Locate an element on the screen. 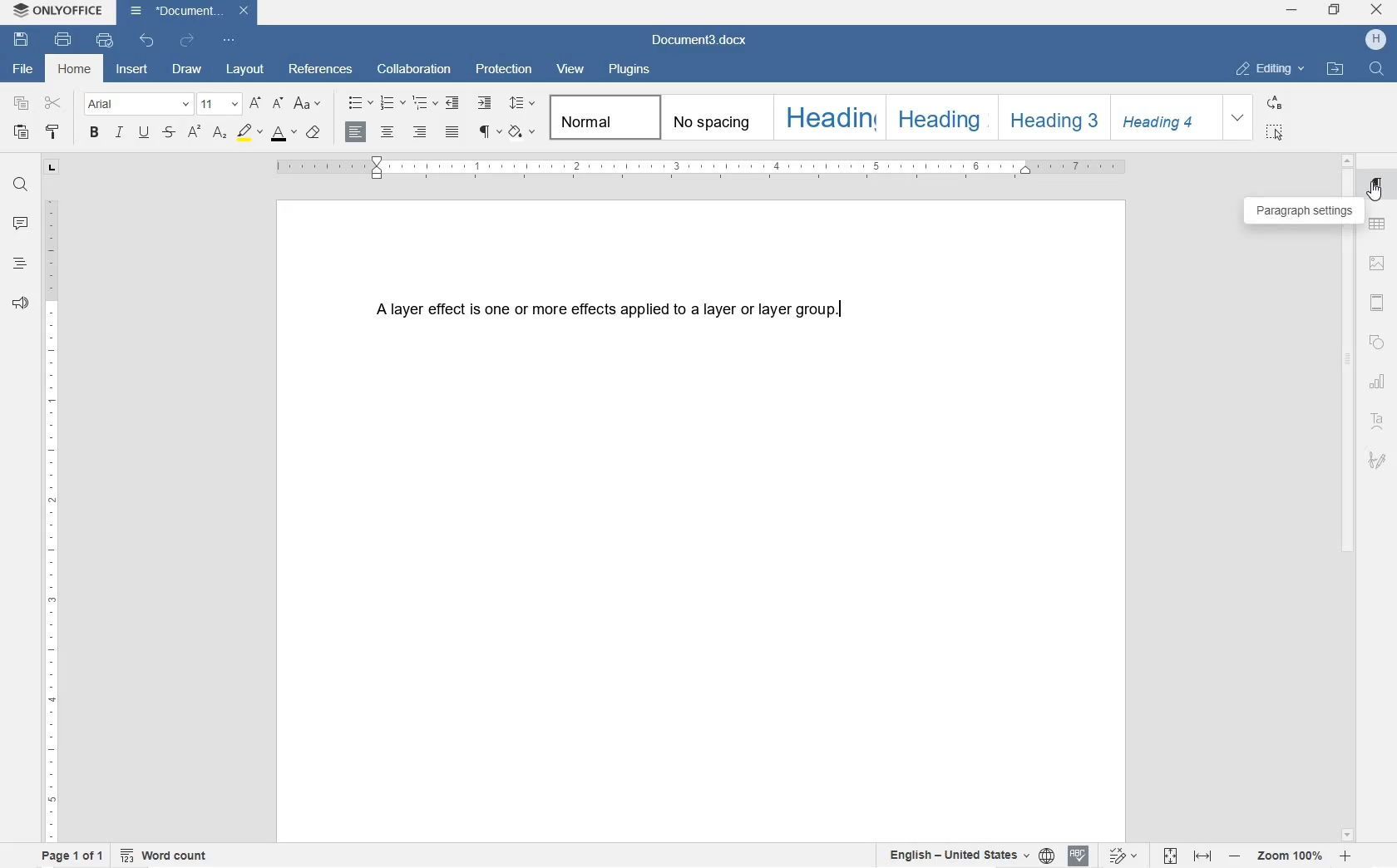 This screenshot has height=868, width=1397. SHADING is located at coordinates (523, 131).